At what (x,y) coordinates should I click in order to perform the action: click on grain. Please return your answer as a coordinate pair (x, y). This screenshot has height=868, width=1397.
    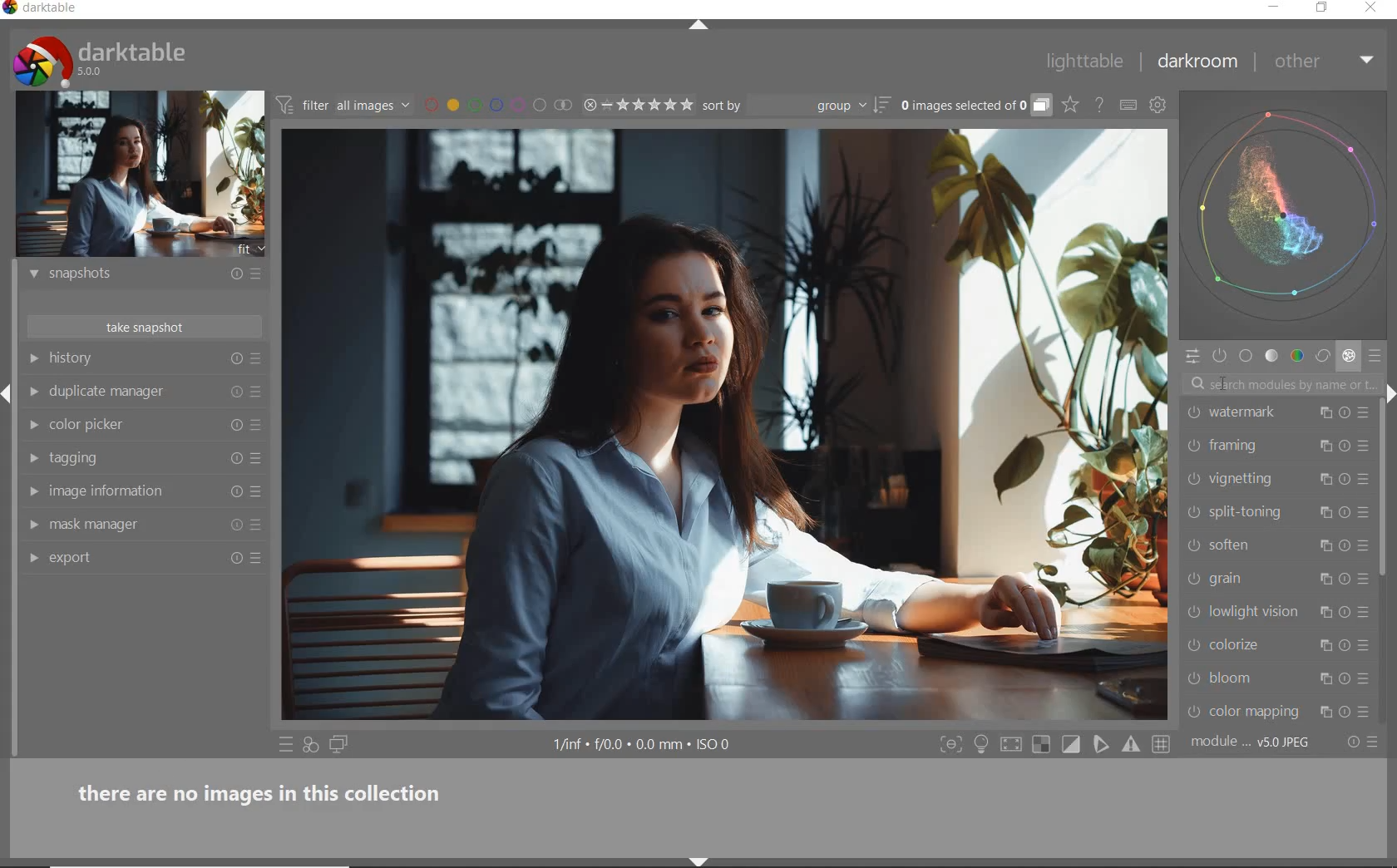
    Looking at the image, I should click on (1258, 579).